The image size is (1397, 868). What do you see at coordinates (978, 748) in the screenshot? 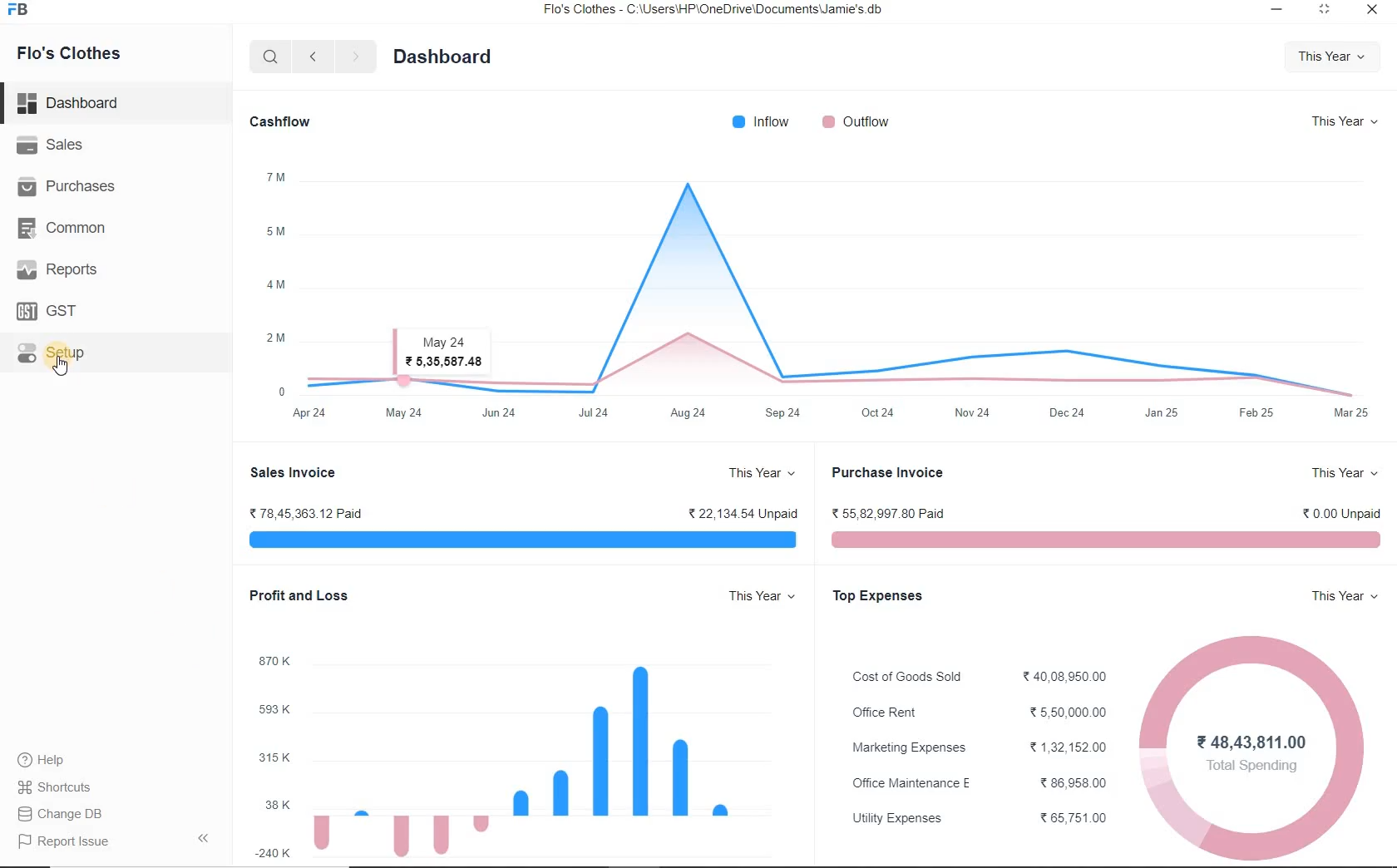
I see `Marketing Expenses €1,32,152.00` at bounding box center [978, 748].